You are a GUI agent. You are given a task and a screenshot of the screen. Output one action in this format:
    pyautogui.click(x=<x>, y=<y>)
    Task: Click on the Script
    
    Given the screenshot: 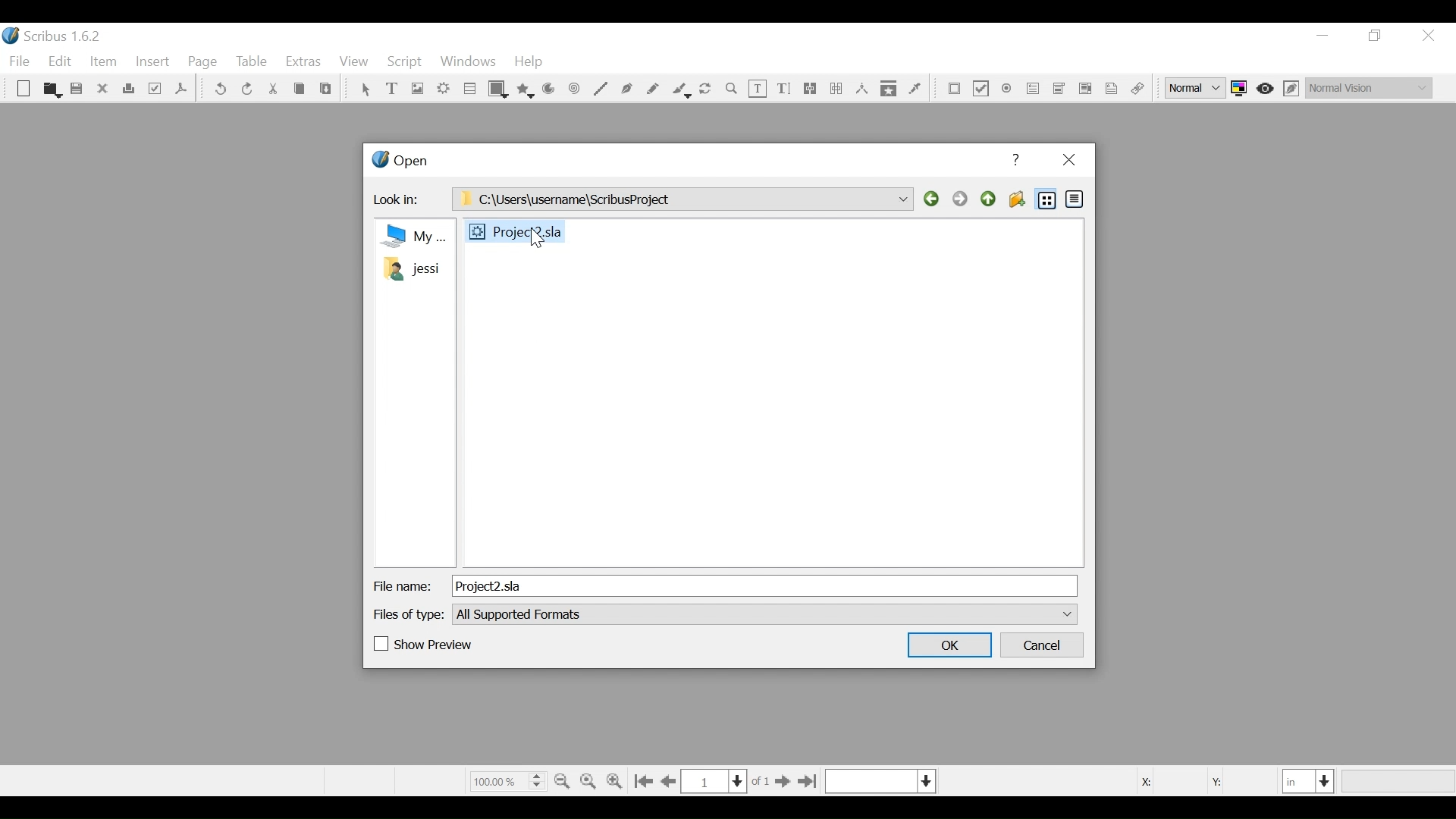 What is the action you would take?
    pyautogui.click(x=406, y=62)
    